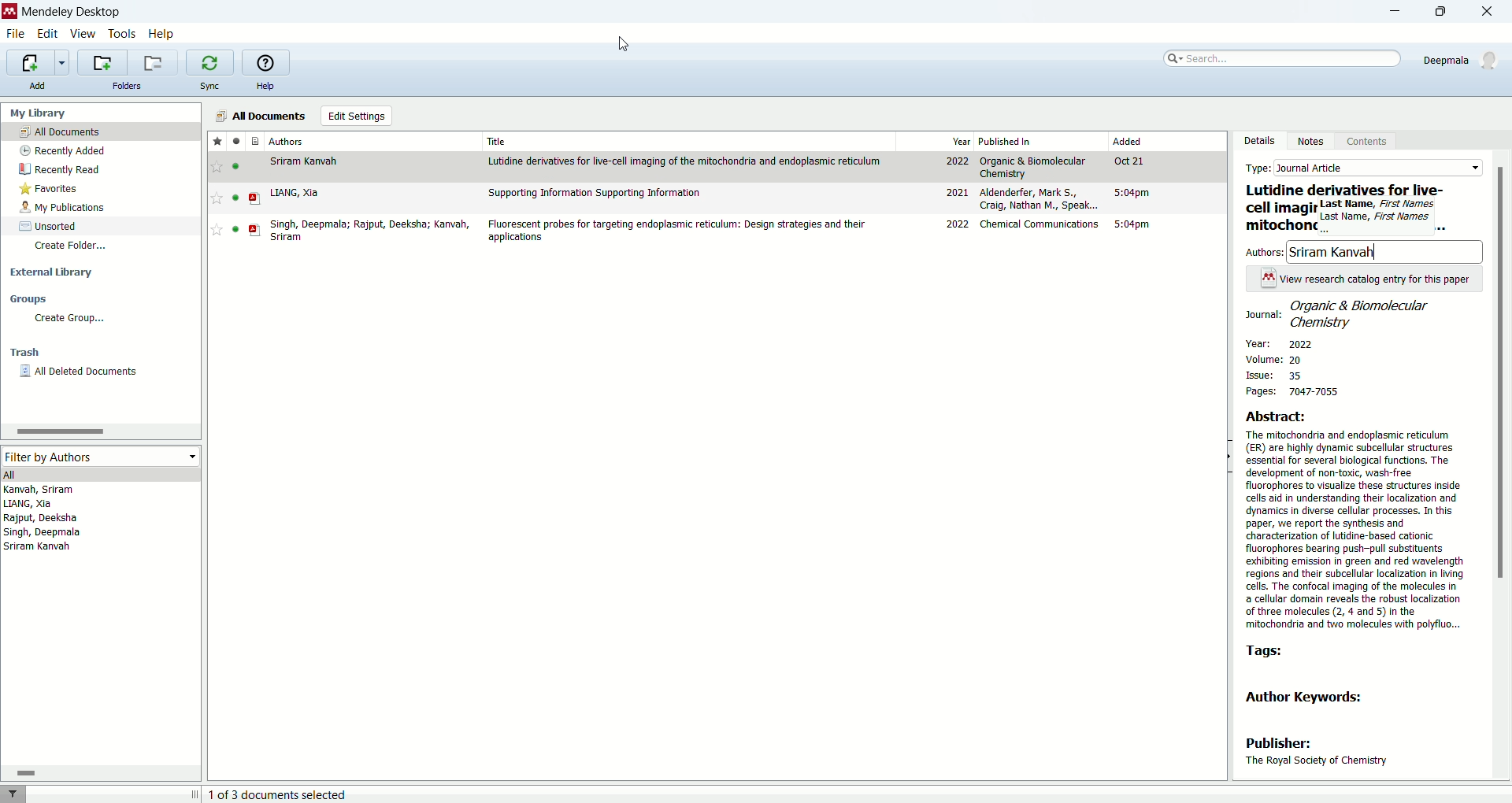  Describe the element at coordinates (210, 64) in the screenshot. I see `synchronize library with mendeley web` at that location.